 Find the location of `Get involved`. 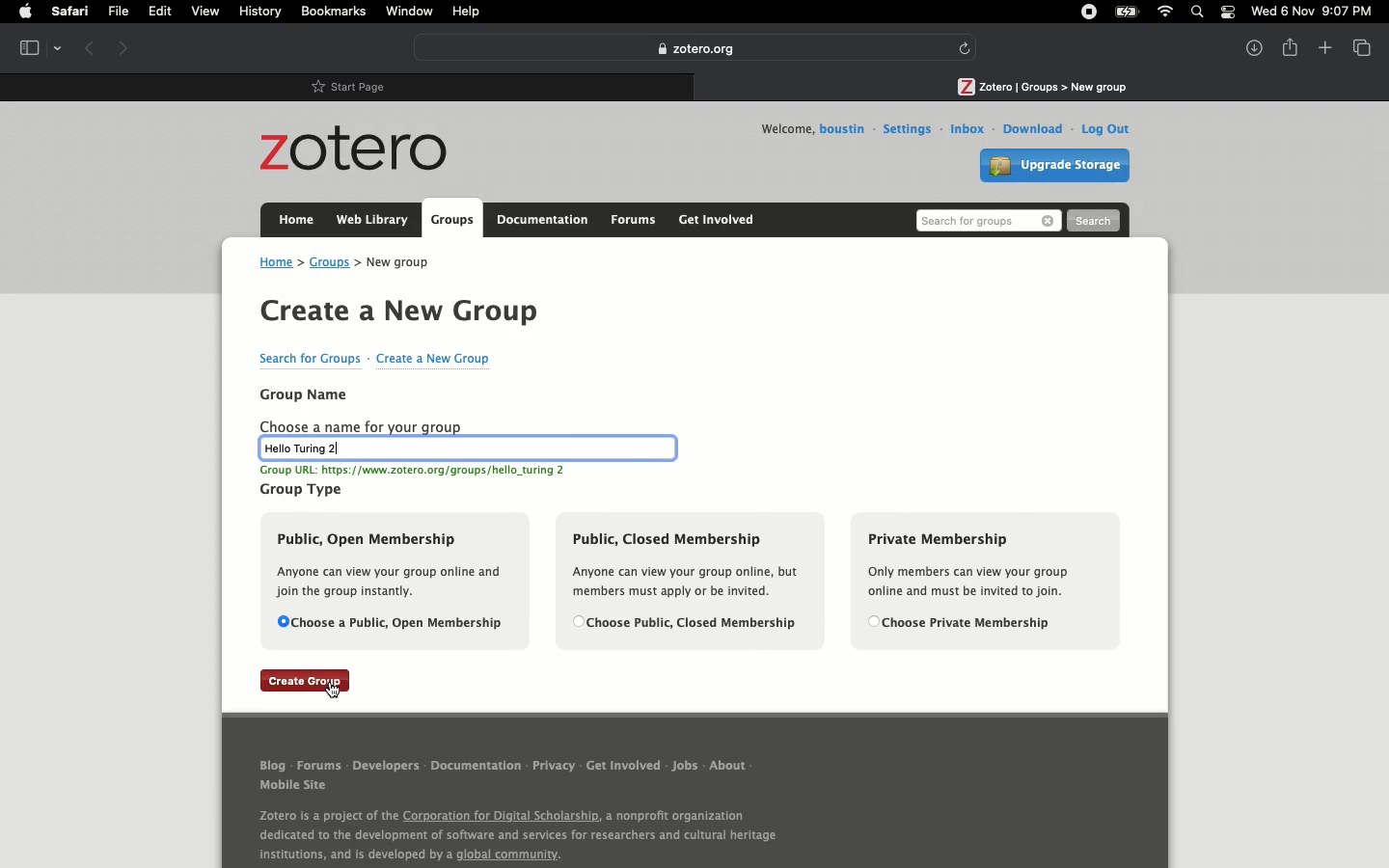

Get involved is located at coordinates (716, 219).